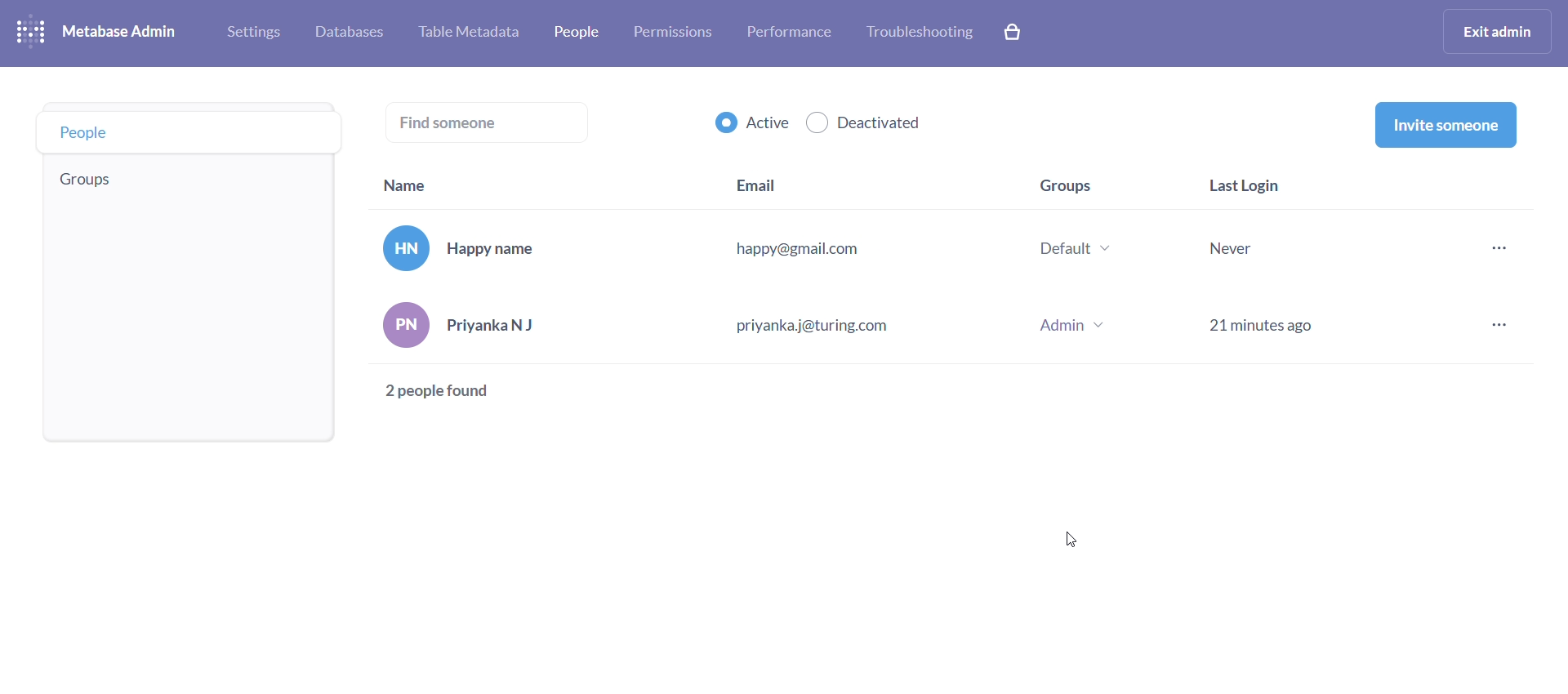  Describe the element at coordinates (126, 33) in the screenshot. I see `metabase admin` at that location.